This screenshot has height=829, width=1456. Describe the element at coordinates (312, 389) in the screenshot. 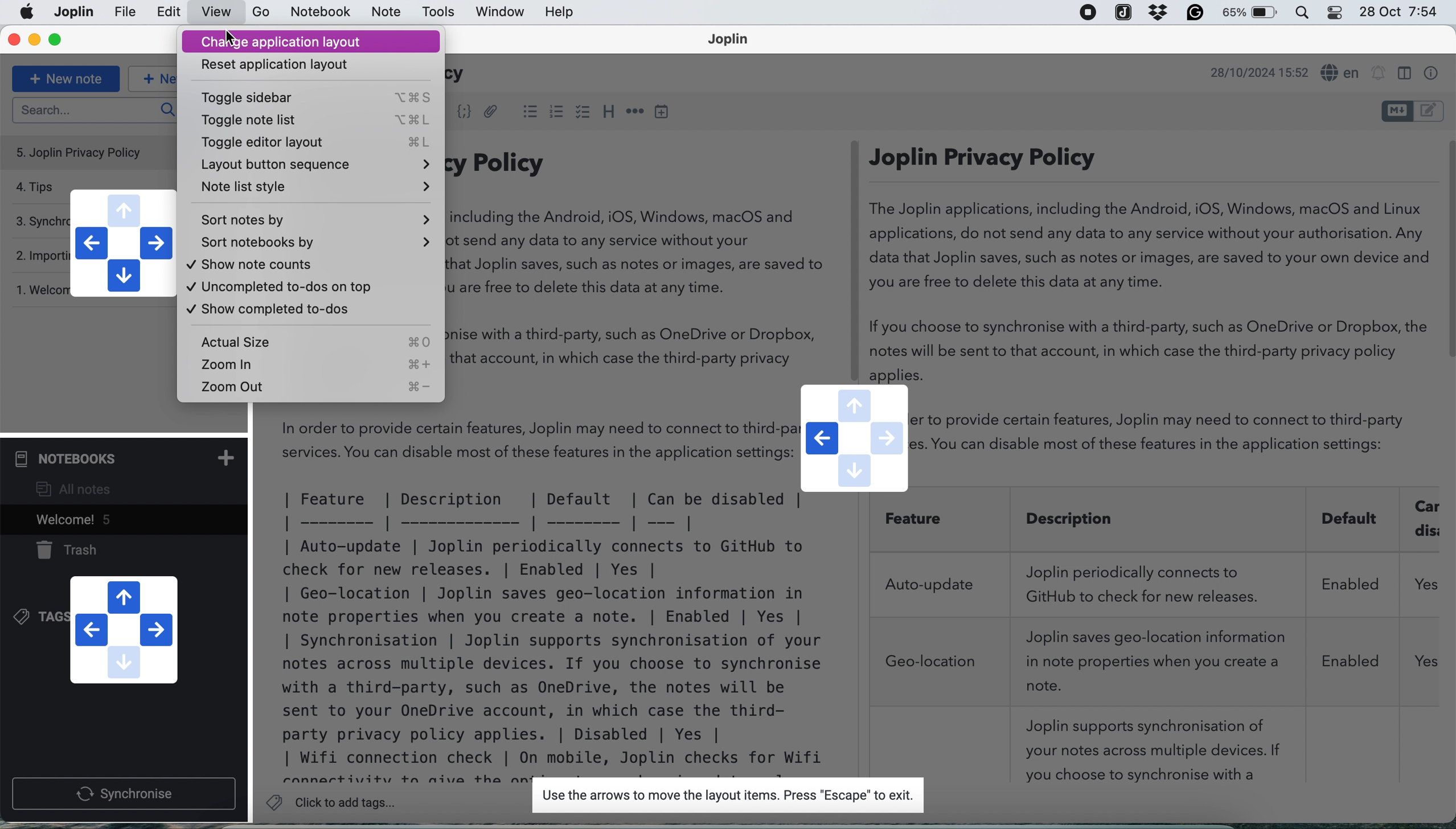

I see `Zoom out` at that location.